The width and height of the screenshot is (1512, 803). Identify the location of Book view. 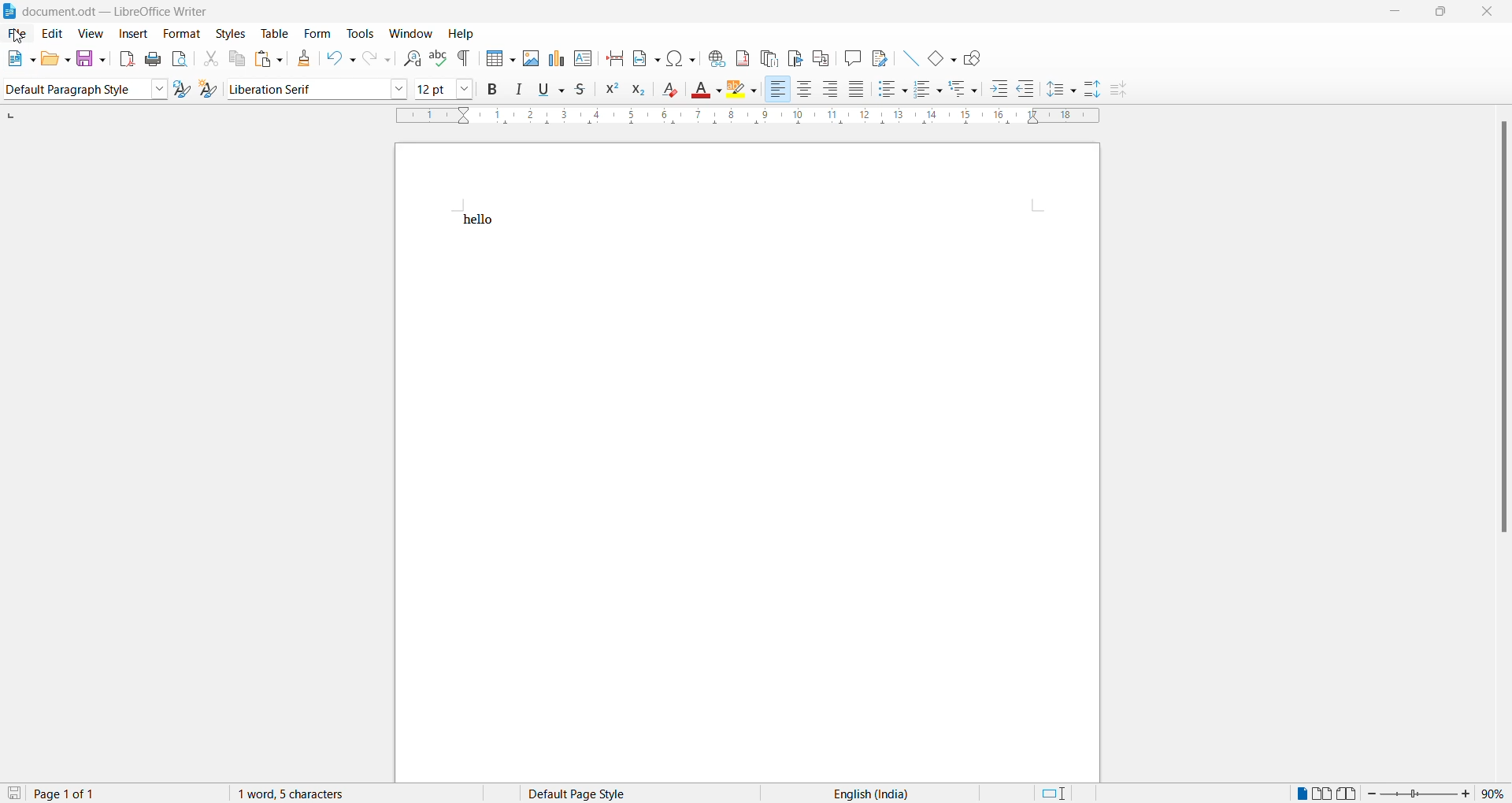
(1349, 793).